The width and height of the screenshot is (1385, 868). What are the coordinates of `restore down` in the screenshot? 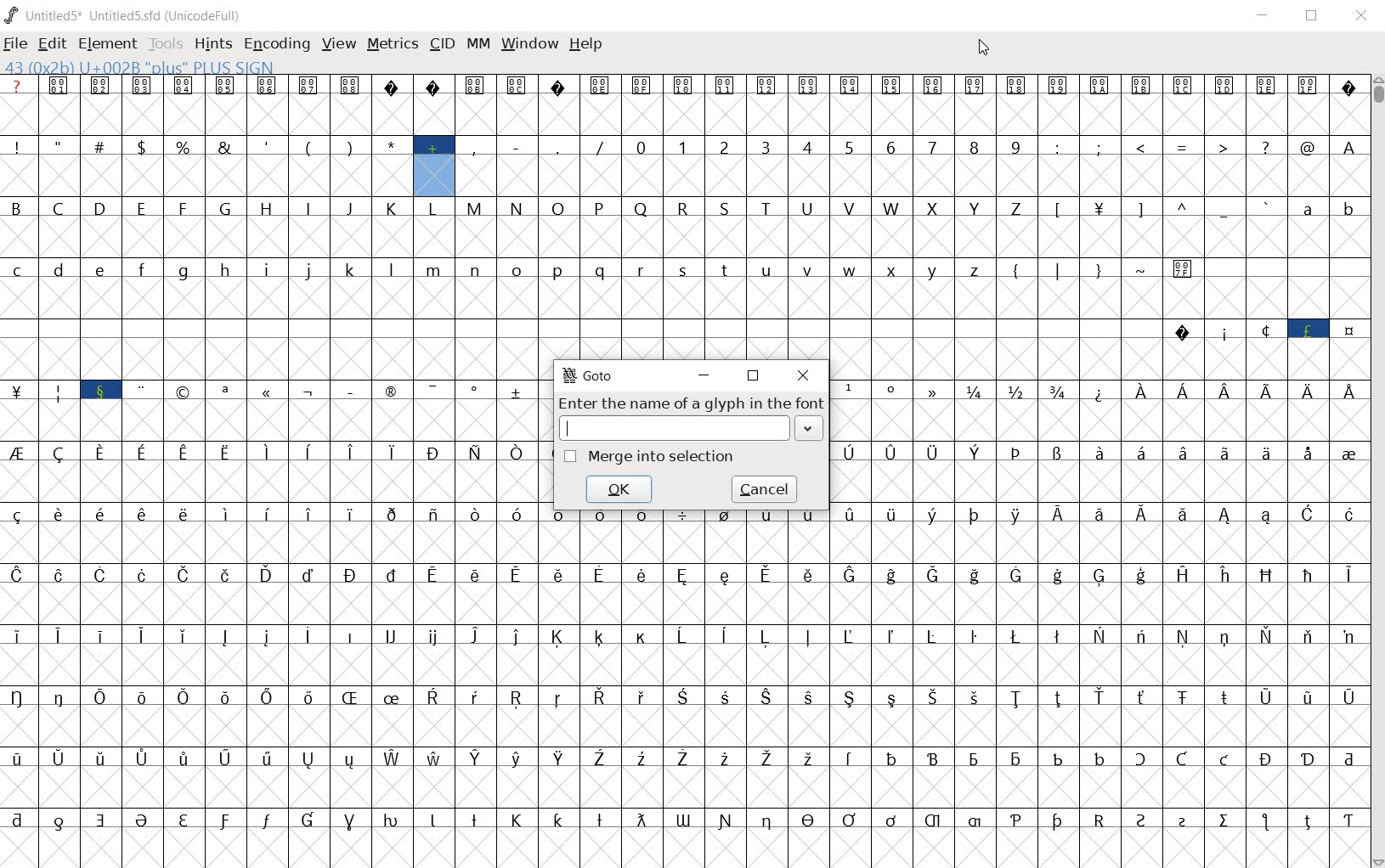 It's located at (1310, 17).